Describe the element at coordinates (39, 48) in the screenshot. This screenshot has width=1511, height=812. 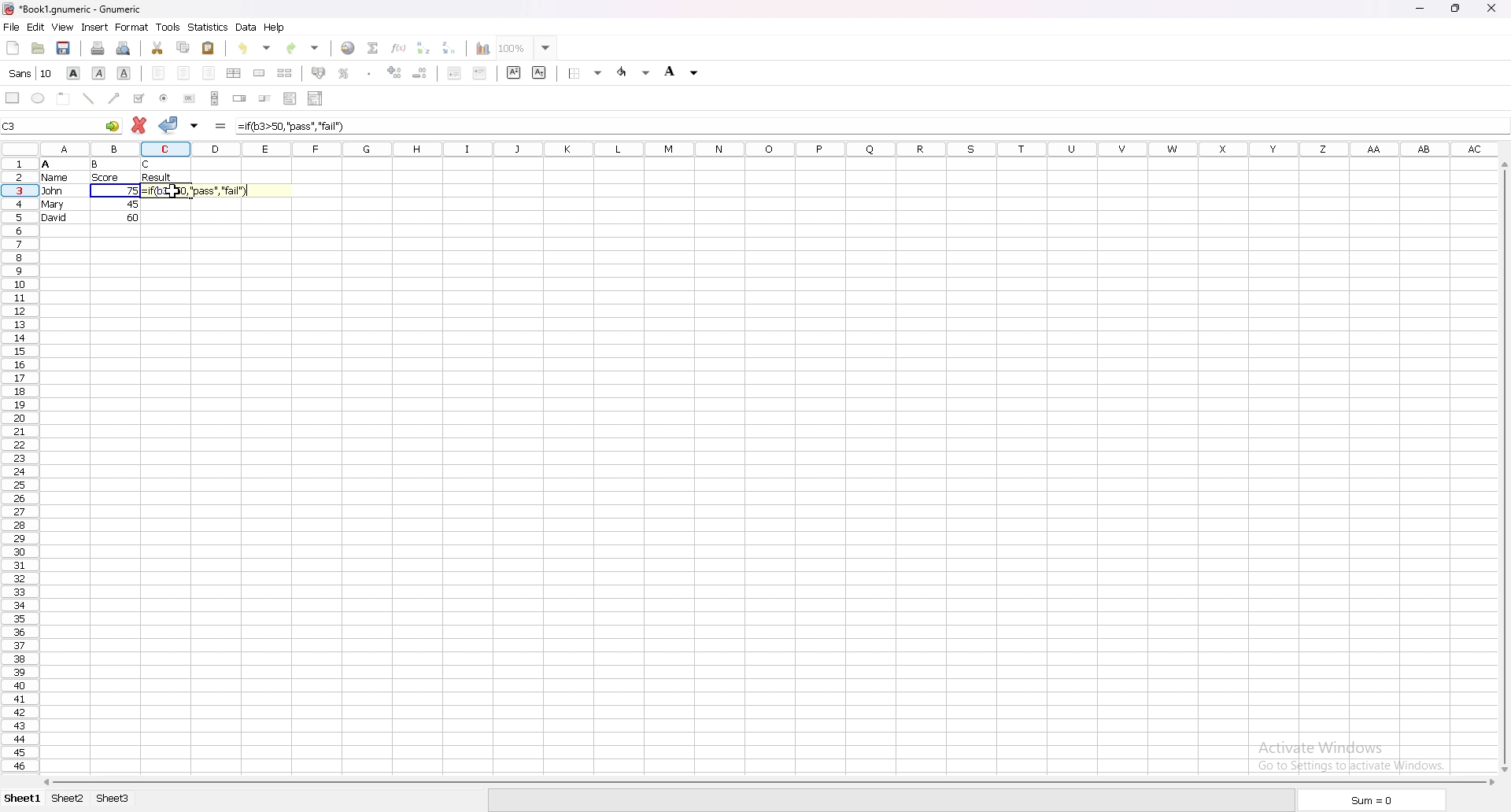
I see `open` at that location.